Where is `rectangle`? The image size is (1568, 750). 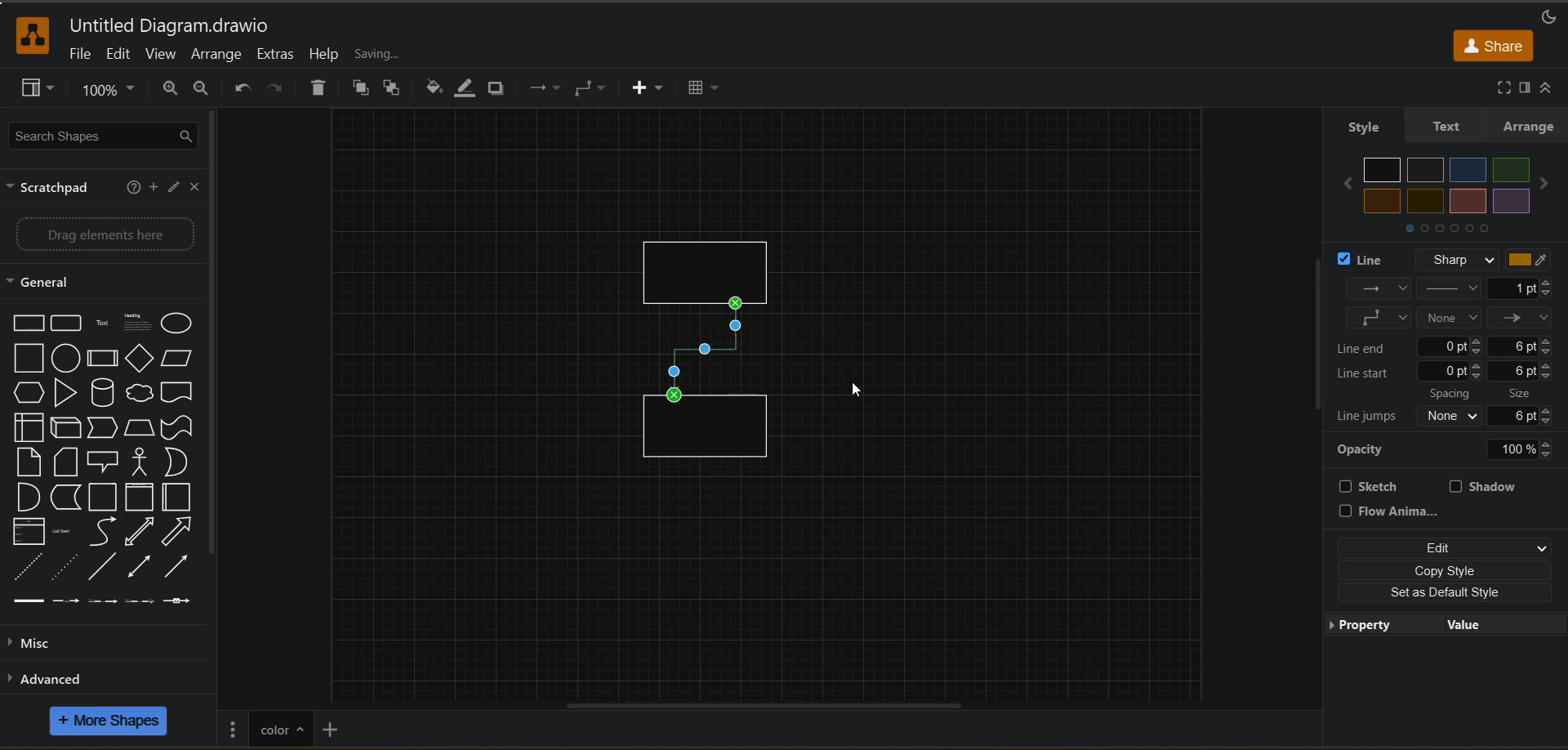 rectangle is located at coordinates (708, 434).